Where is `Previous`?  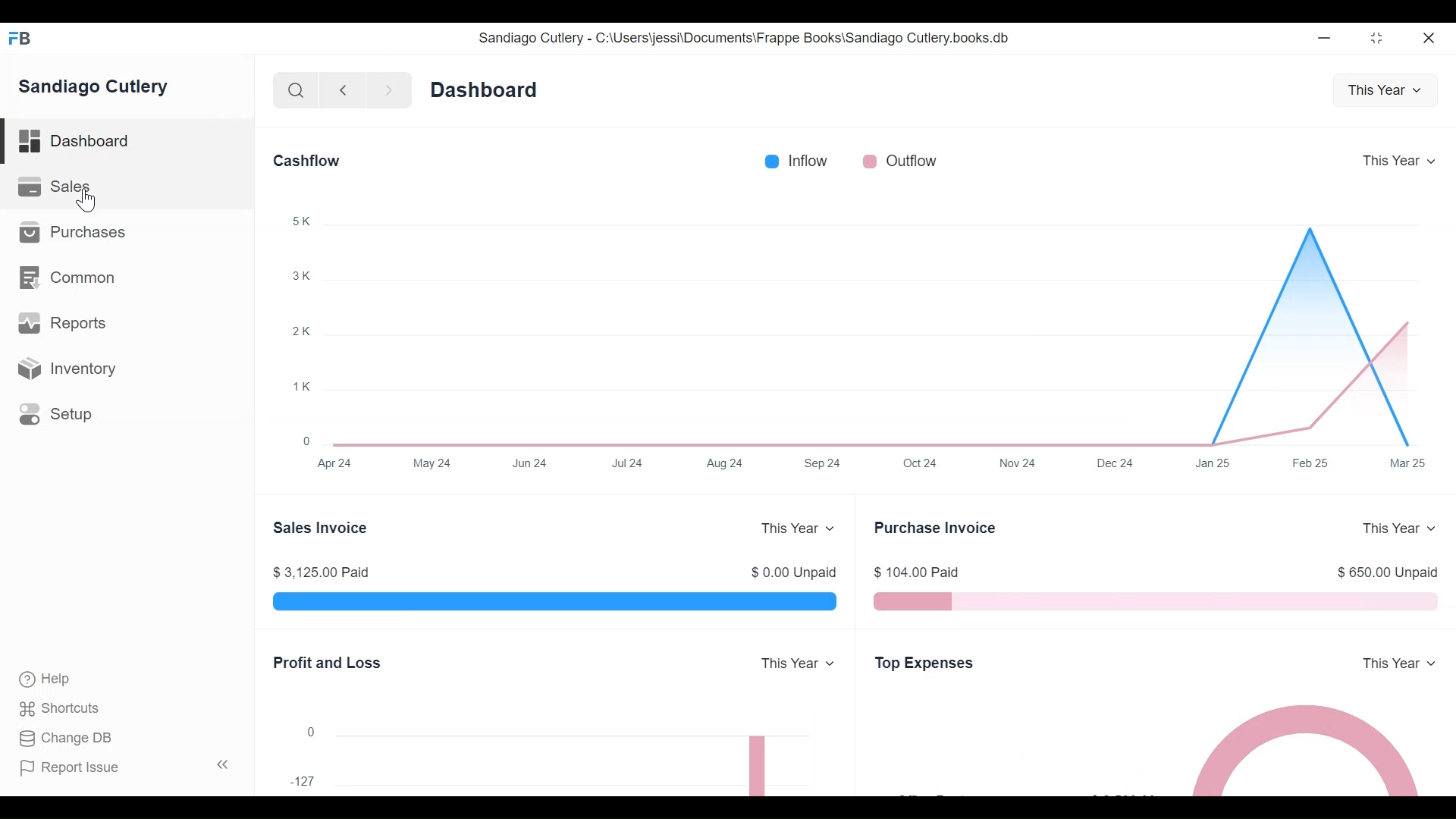 Previous is located at coordinates (344, 90).